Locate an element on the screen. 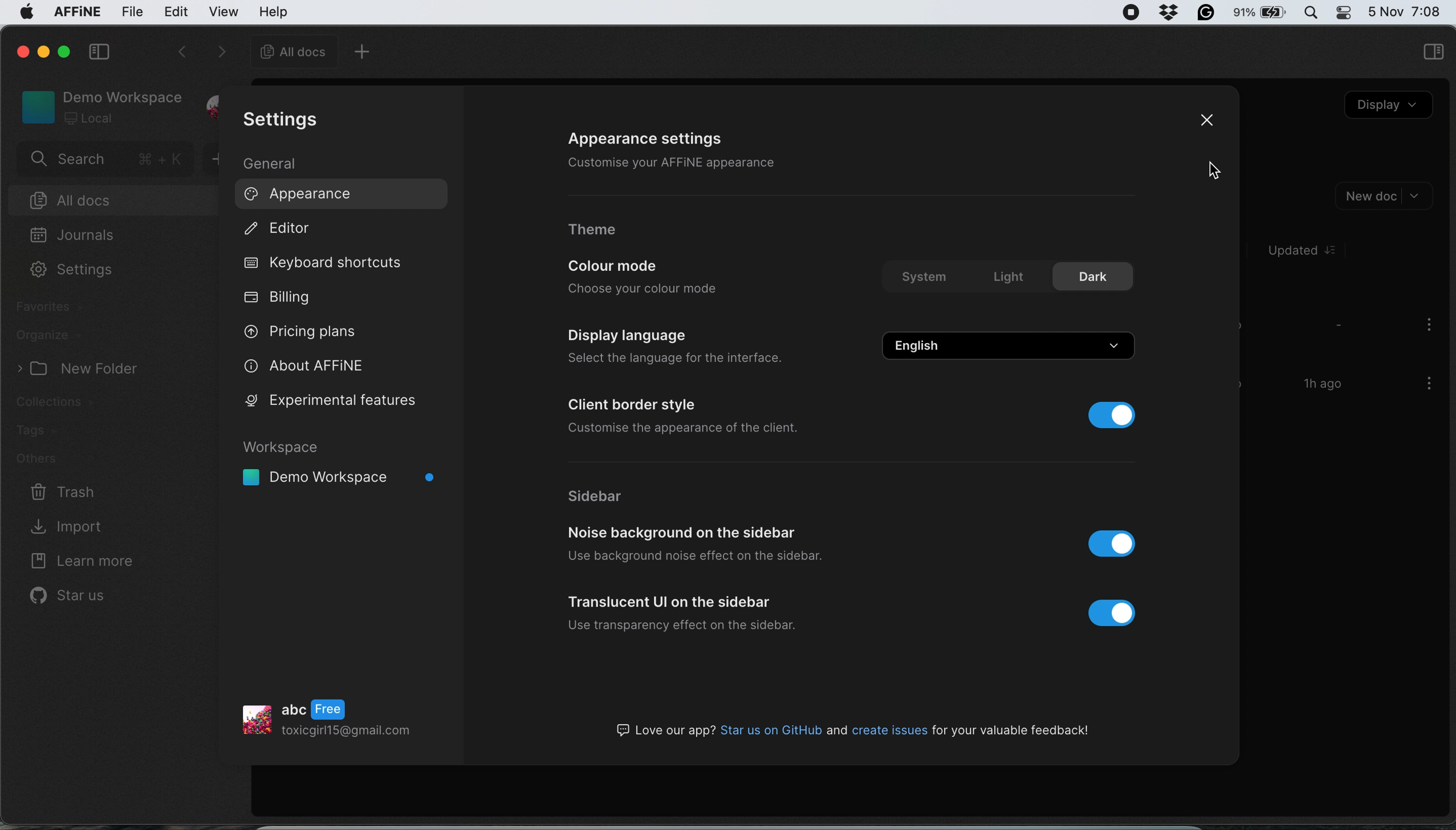 The width and height of the screenshot is (1456, 830). search is located at coordinates (107, 160).